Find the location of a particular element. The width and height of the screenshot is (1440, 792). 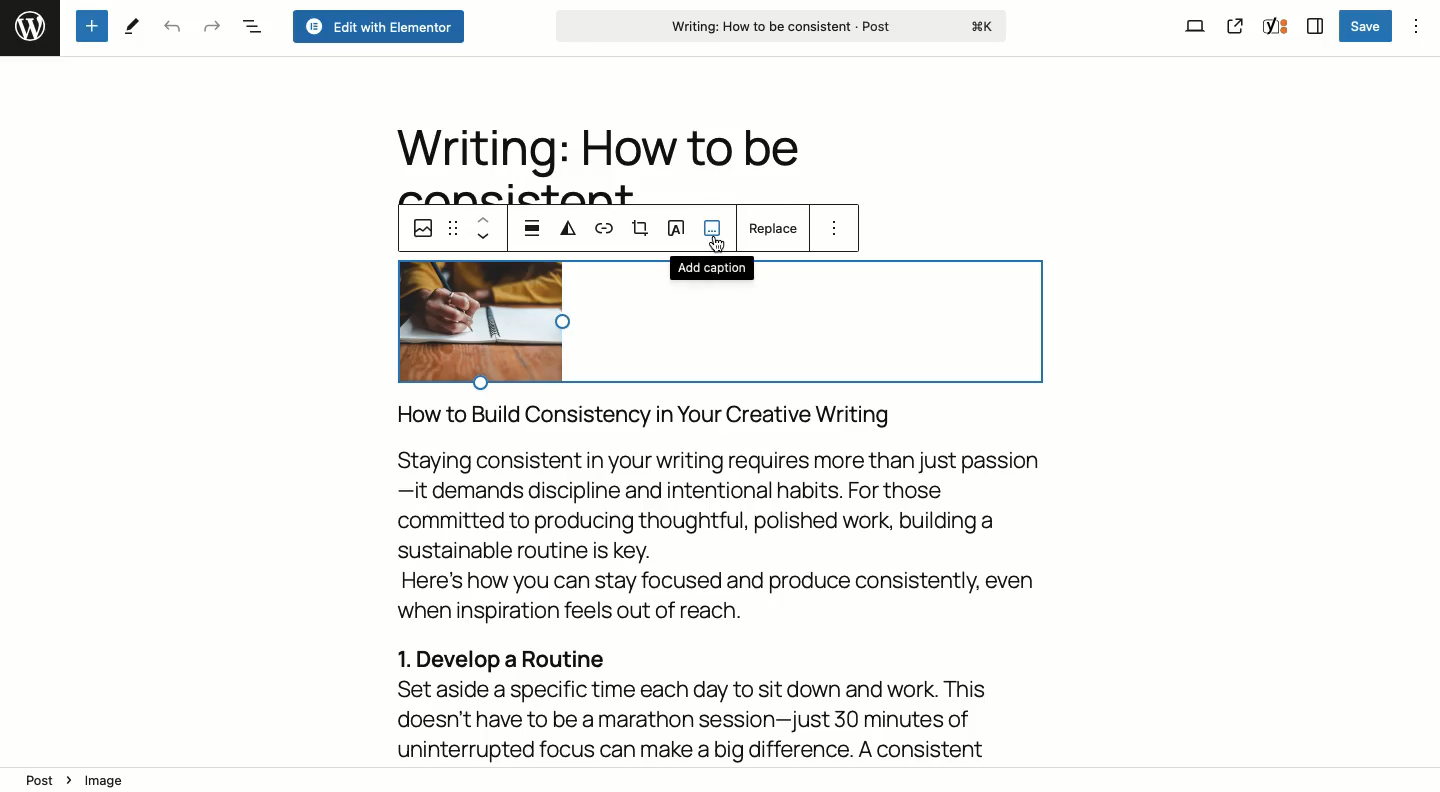

image is located at coordinates (109, 778).